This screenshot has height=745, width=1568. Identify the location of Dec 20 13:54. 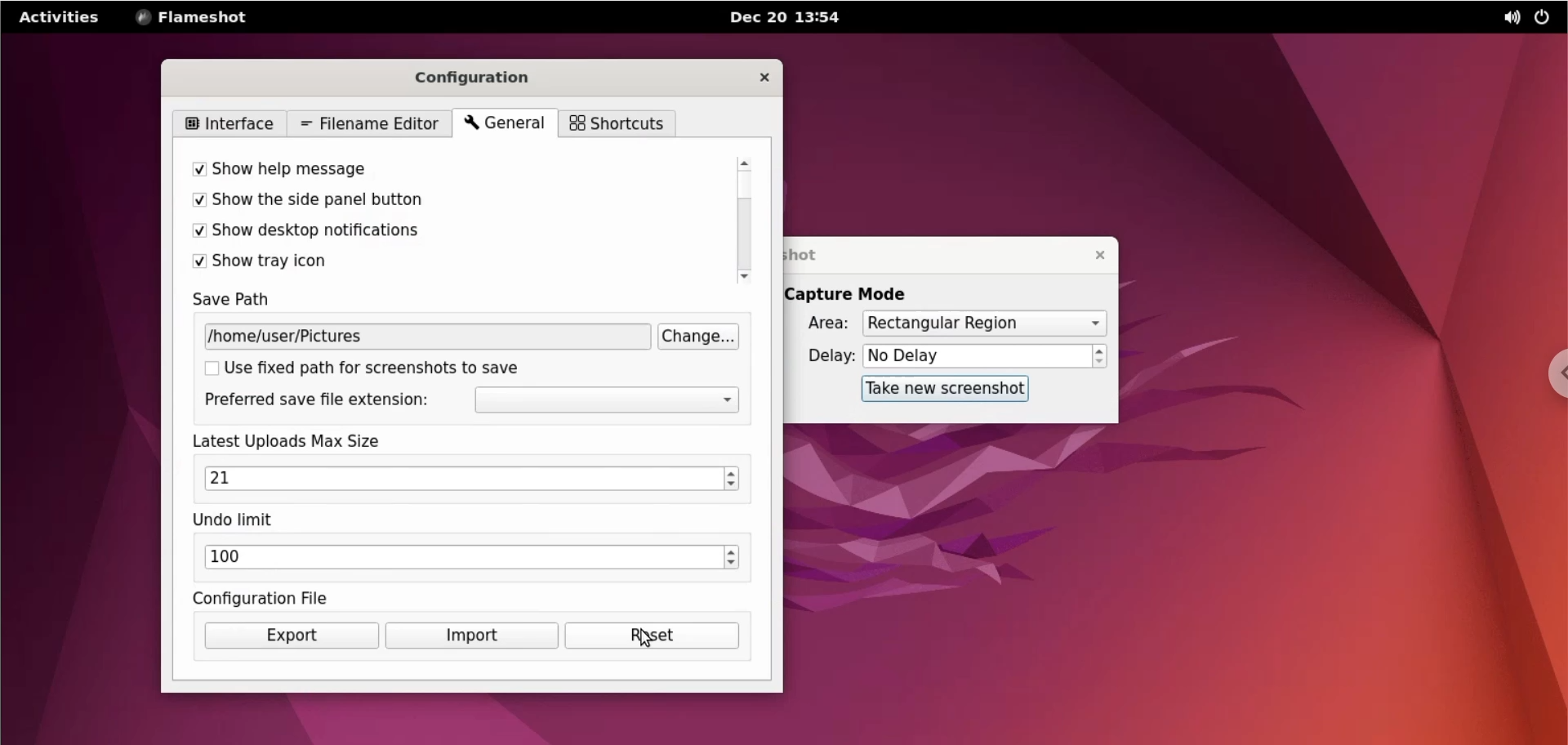
(795, 19).